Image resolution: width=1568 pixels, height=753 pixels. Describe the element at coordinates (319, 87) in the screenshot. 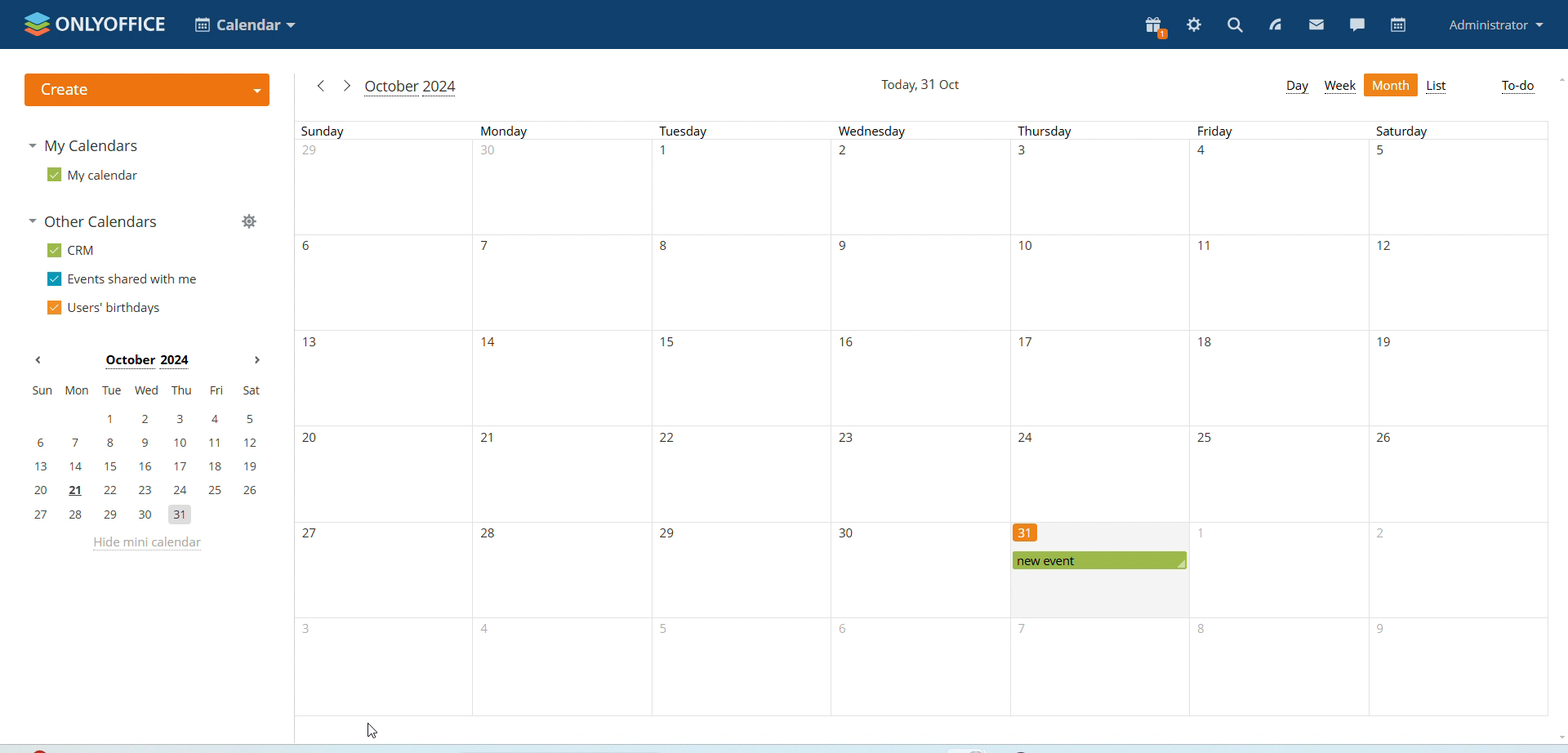

I see `go to previous month` at that location.